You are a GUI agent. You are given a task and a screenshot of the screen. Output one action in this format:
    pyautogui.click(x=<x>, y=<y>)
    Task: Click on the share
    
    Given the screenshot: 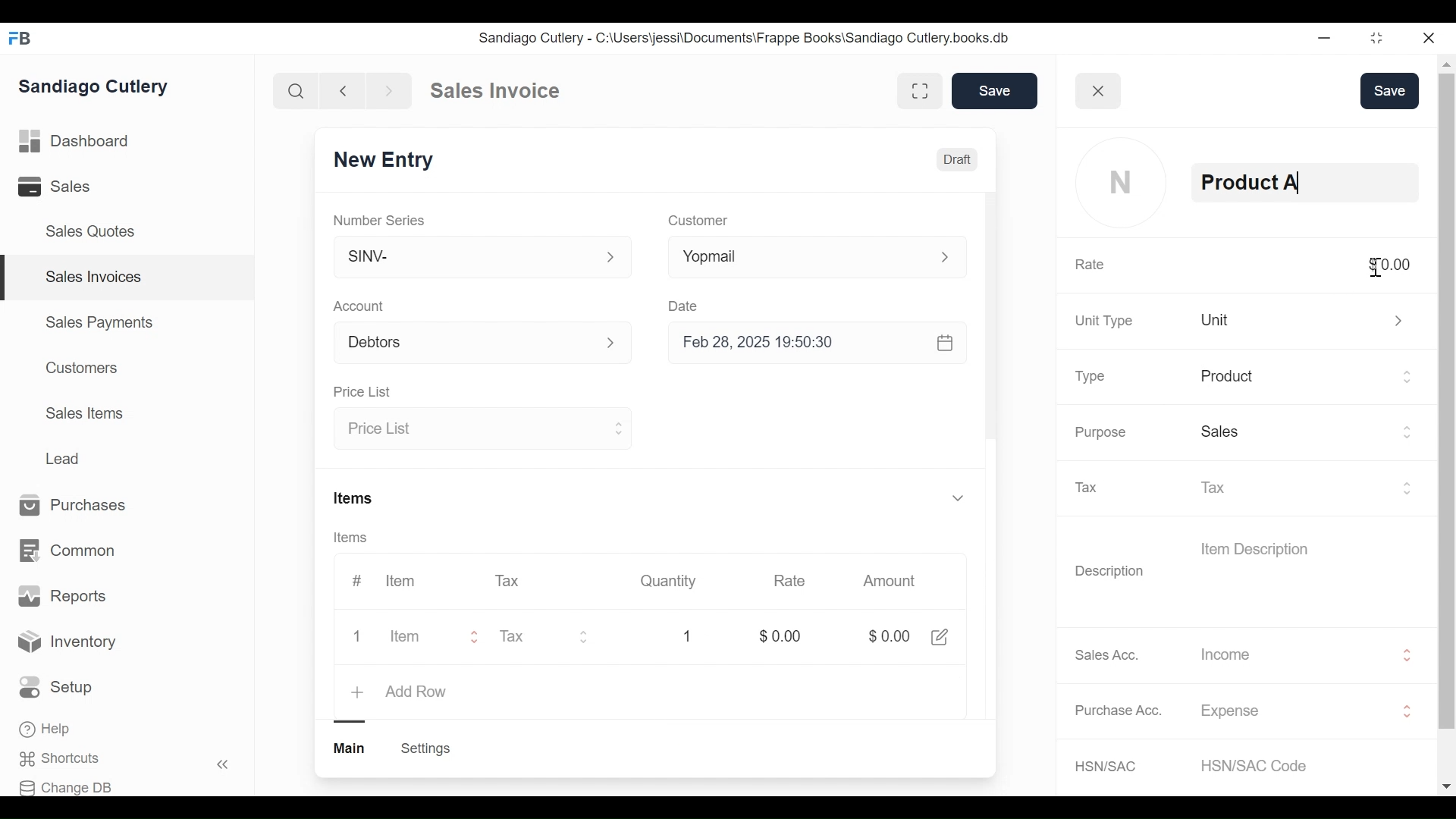 What is the action you would take?
    pyautogui.click(x=940, y=635)
    